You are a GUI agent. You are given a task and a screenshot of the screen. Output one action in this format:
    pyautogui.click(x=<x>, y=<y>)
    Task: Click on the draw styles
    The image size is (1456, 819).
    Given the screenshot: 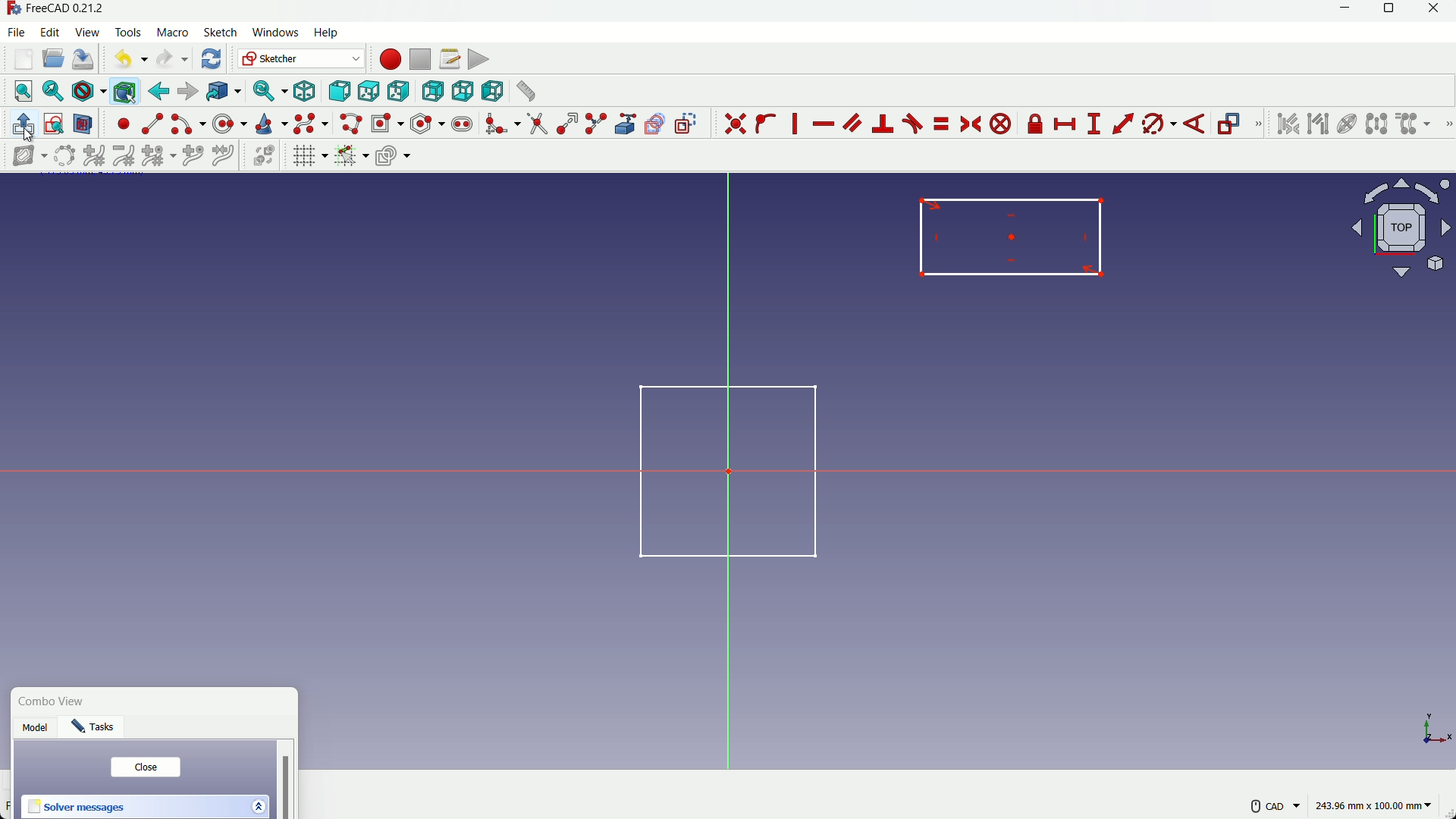 What is the action you would take?
    pyautogui.click(x=88, y=91)
    